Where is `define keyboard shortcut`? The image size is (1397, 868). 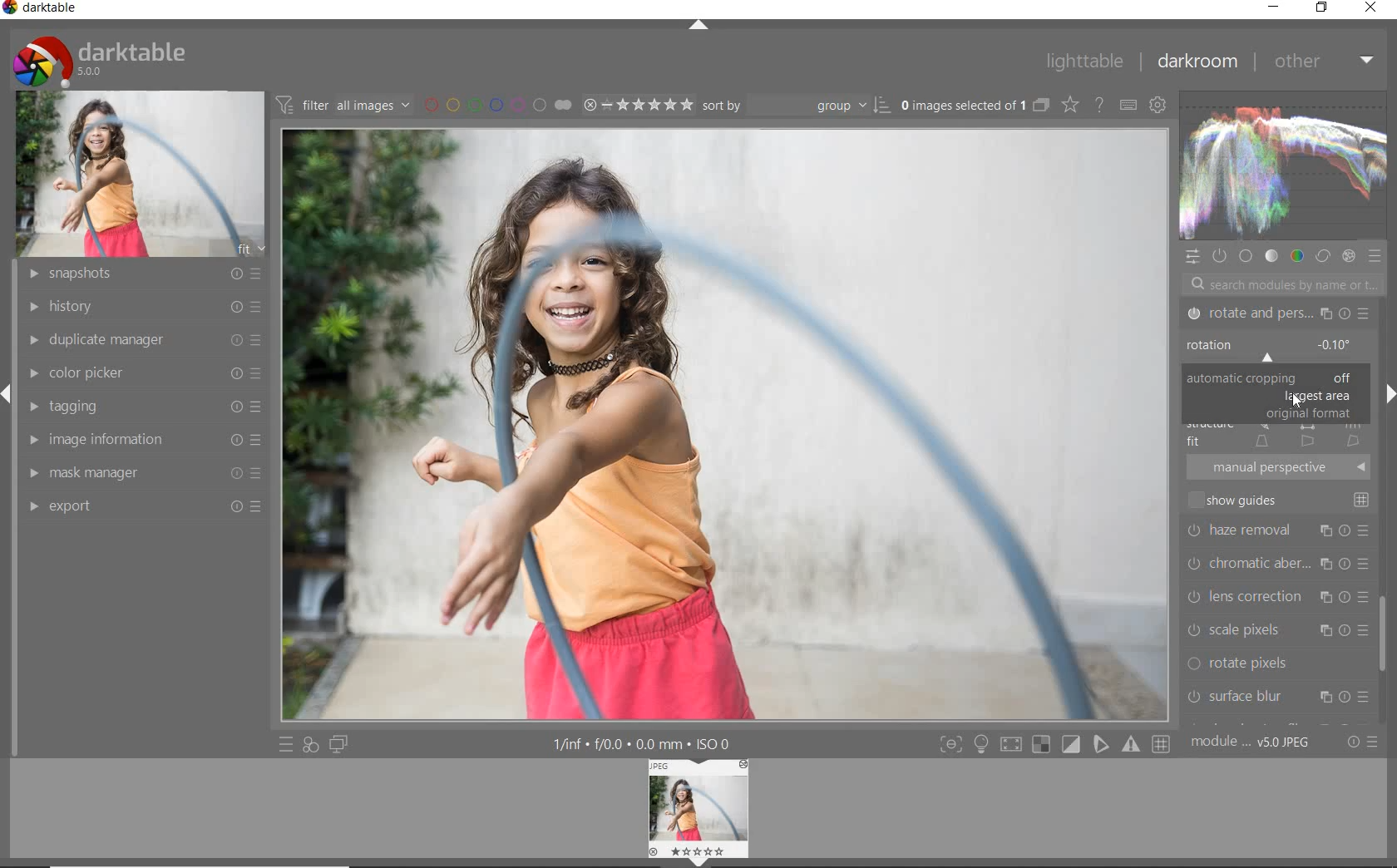
define keyboard shortcut is located at coordinates (1128, 106).